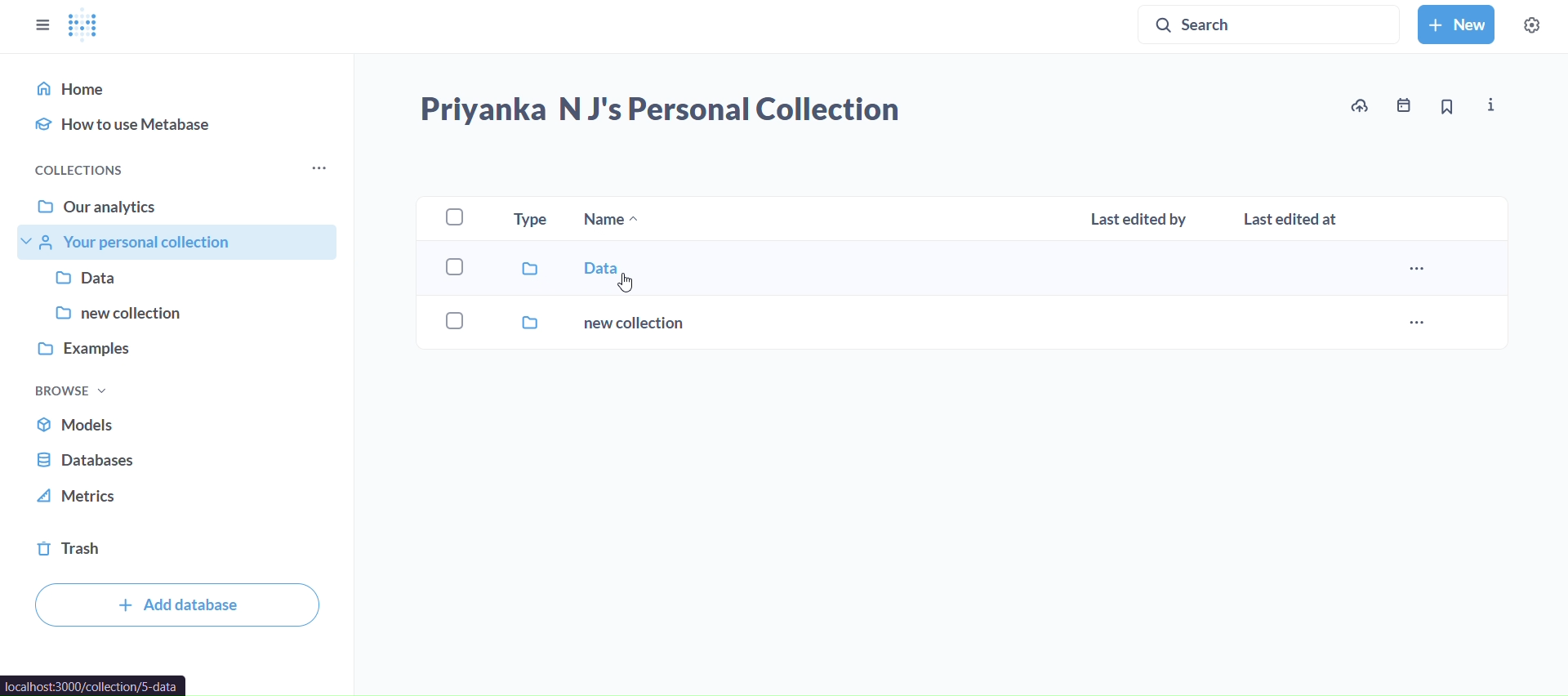 This screenshot has width=1568, height=696. Describe the element at coordinates (578, 324) in the screenshot. I see `new collection` at that location.